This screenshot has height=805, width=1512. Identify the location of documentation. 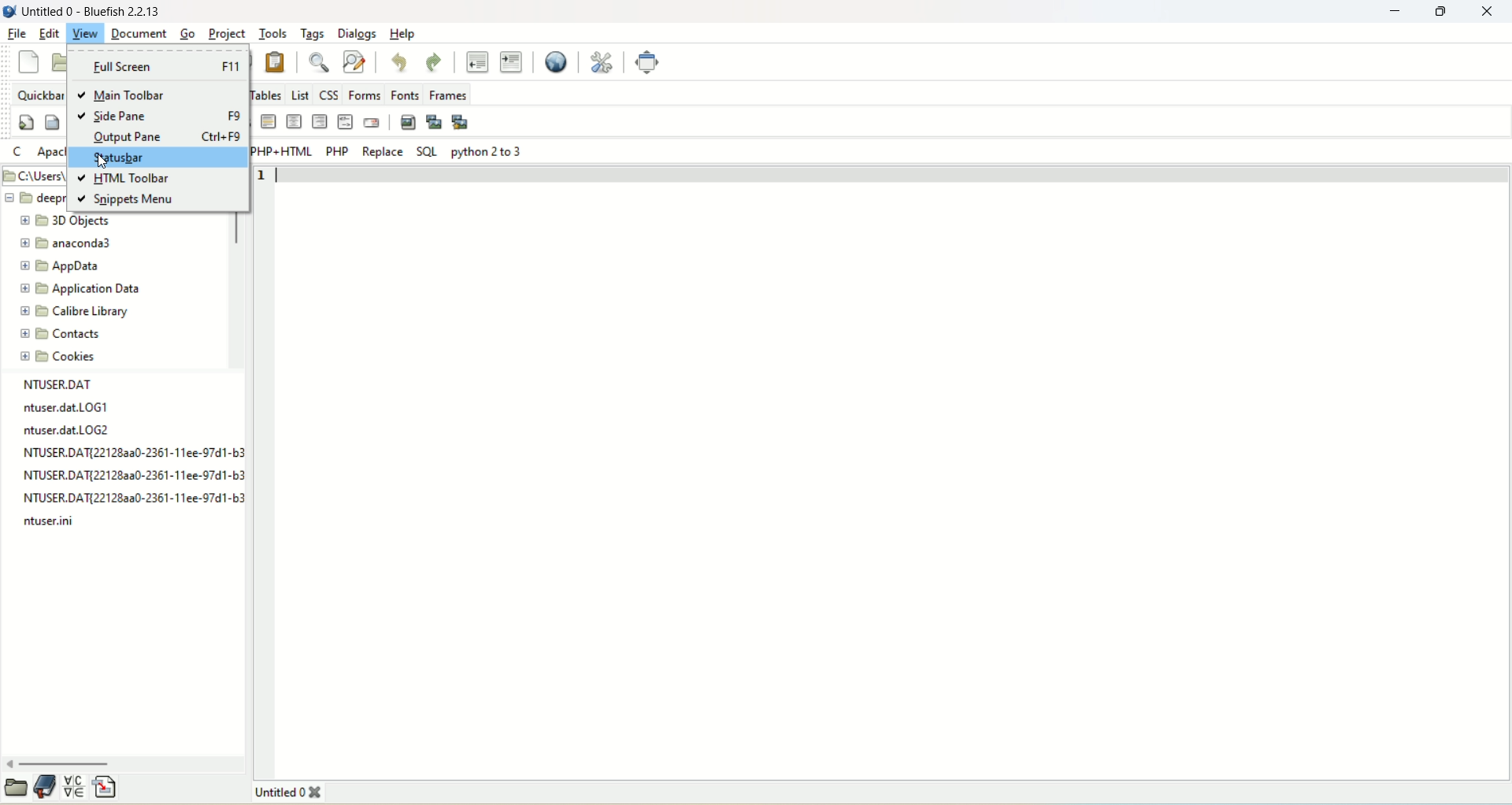
(46, 788).